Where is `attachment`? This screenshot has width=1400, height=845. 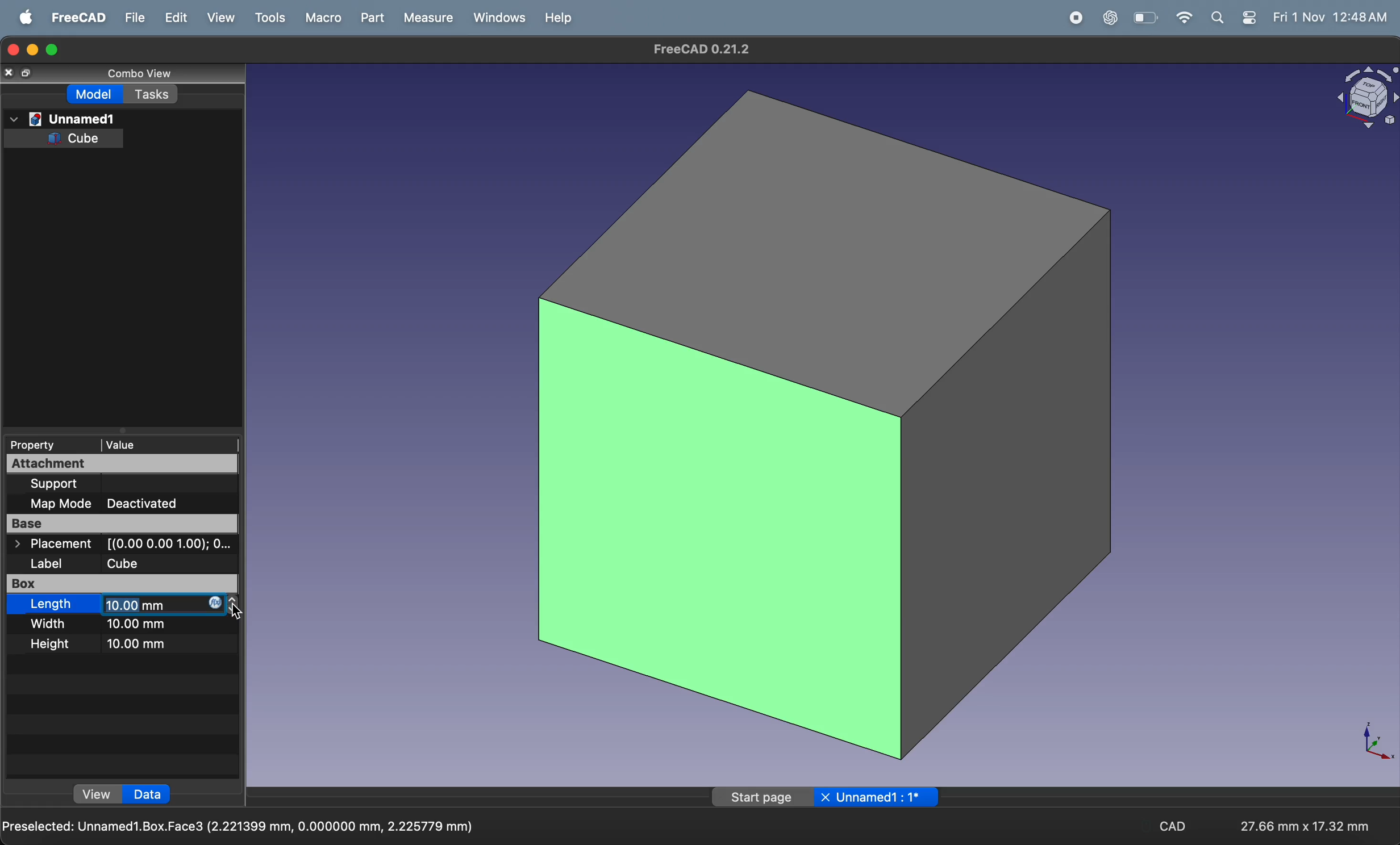 attachment is located at coordinates (115, 463).